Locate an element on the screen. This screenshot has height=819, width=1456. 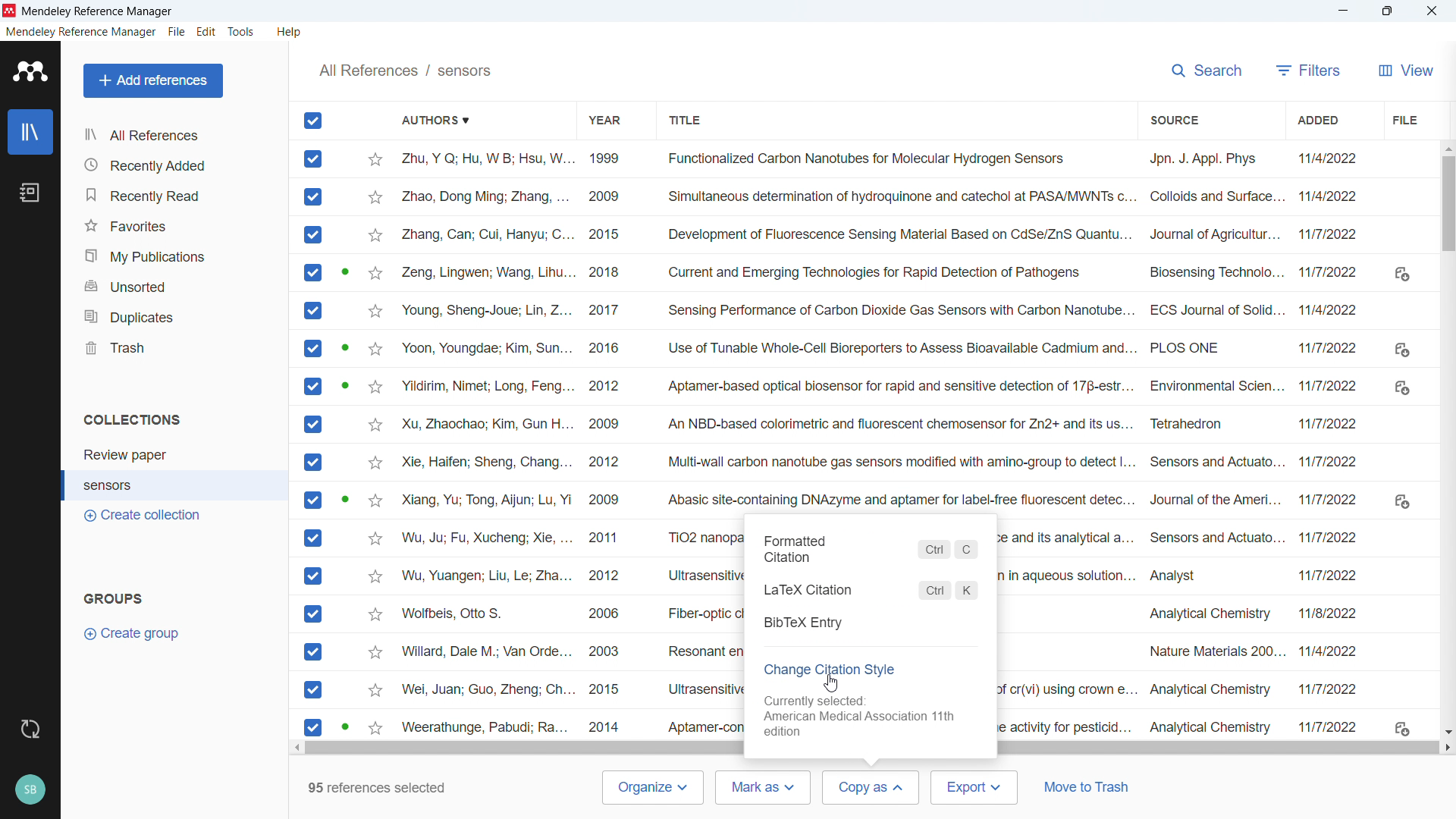
notebook is located at coordinates (31, 193).